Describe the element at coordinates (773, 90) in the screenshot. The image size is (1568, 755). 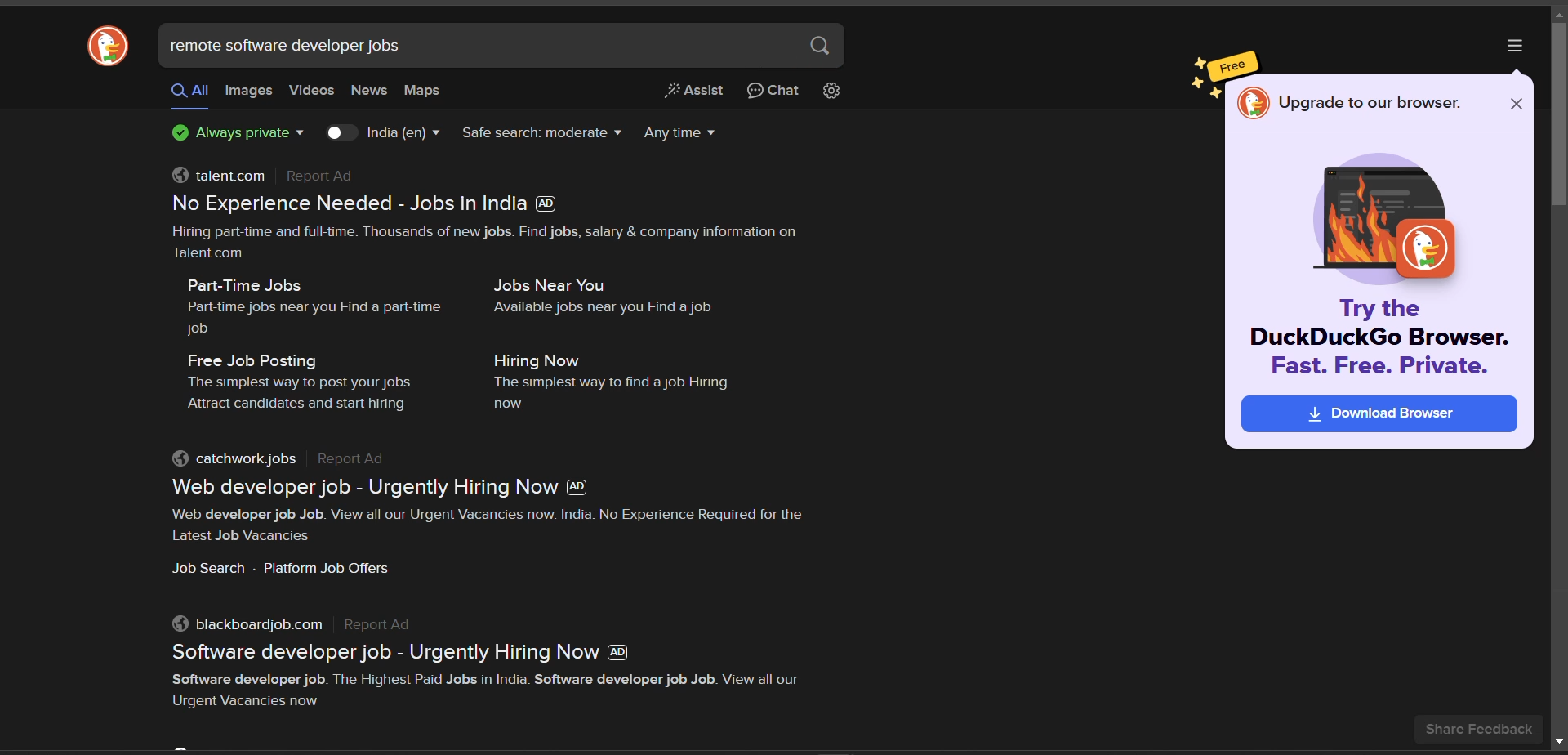
I see `chat privately with AI` at that location.